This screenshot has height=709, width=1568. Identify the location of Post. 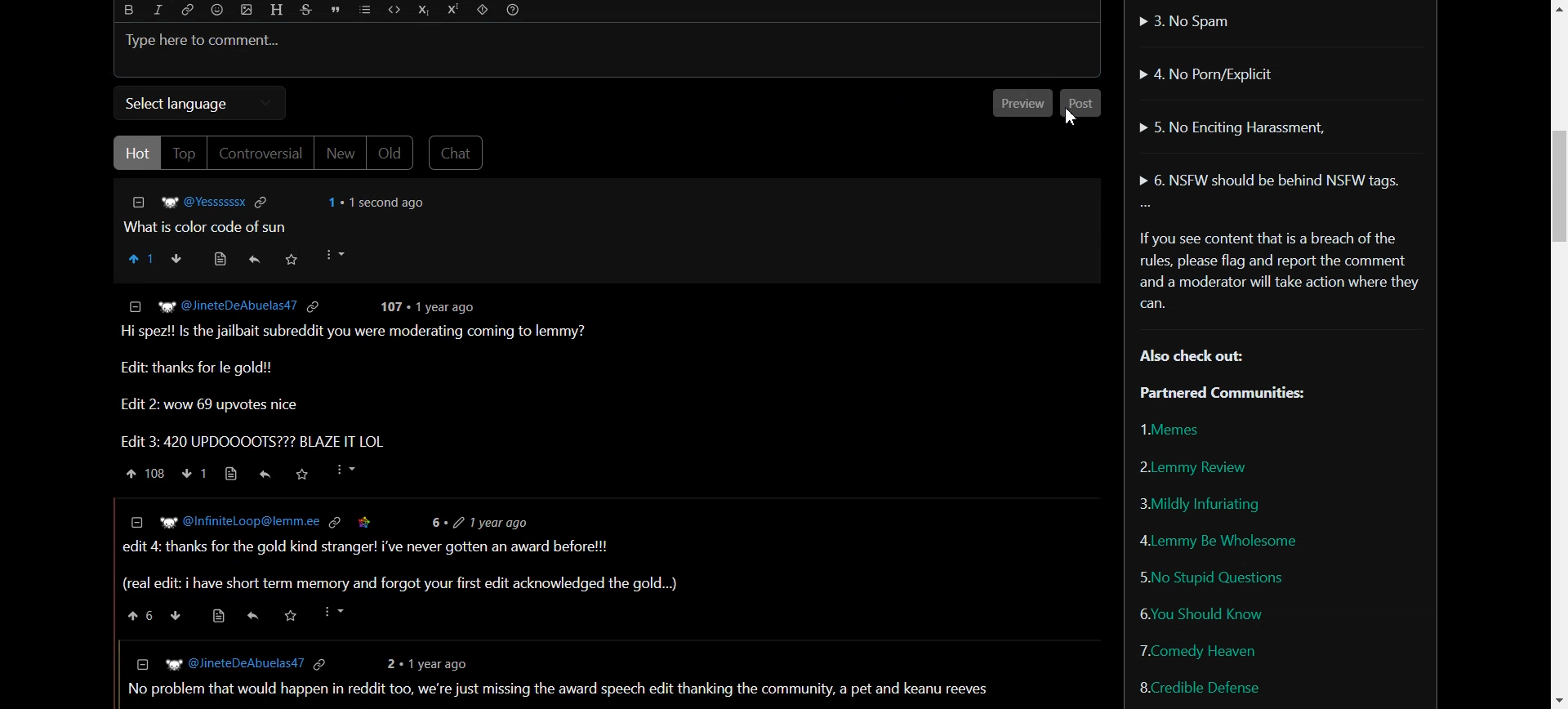
(1084, 104).